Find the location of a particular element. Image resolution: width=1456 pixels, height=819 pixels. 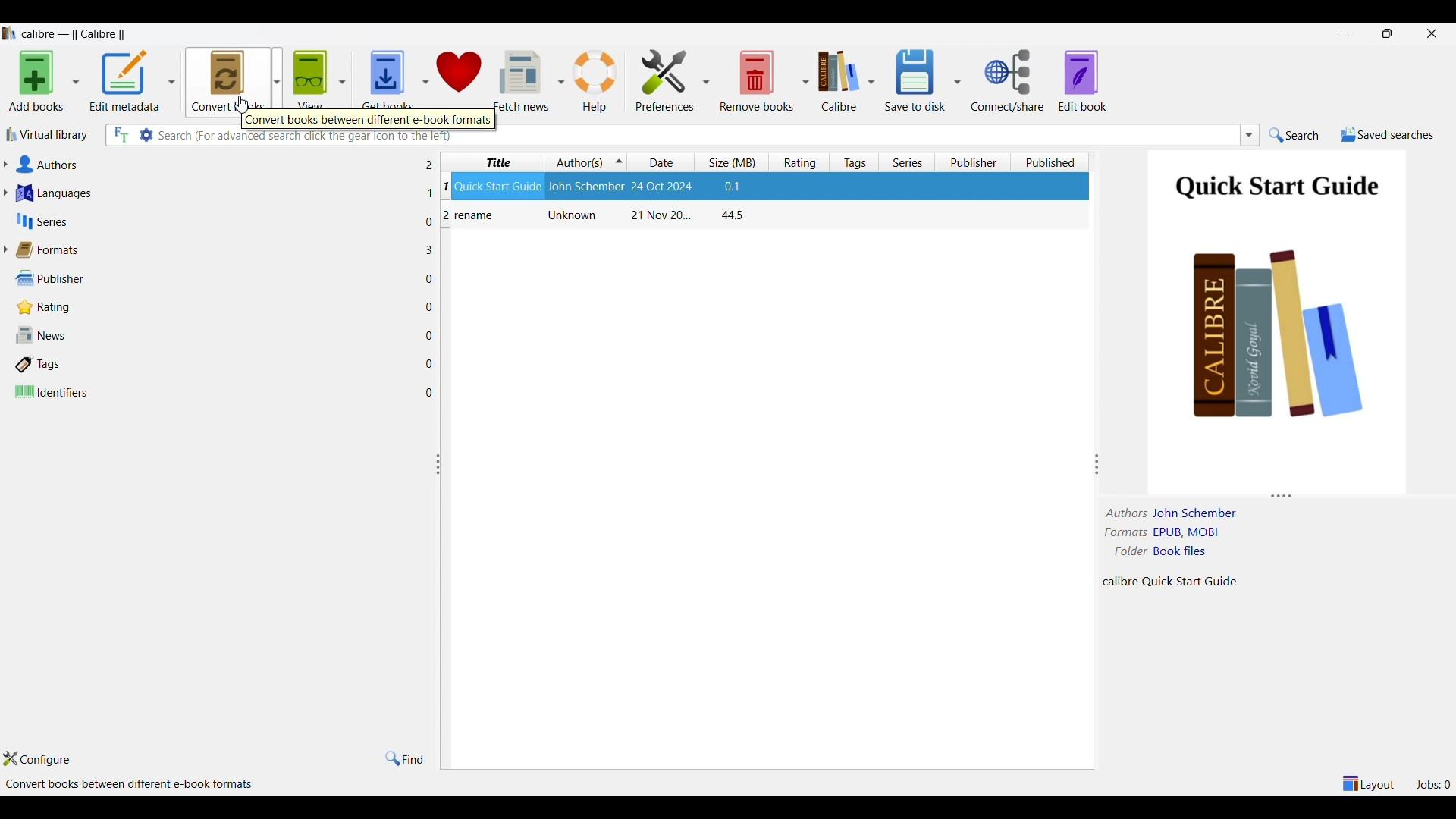

News is located at coordinates (213, 334).